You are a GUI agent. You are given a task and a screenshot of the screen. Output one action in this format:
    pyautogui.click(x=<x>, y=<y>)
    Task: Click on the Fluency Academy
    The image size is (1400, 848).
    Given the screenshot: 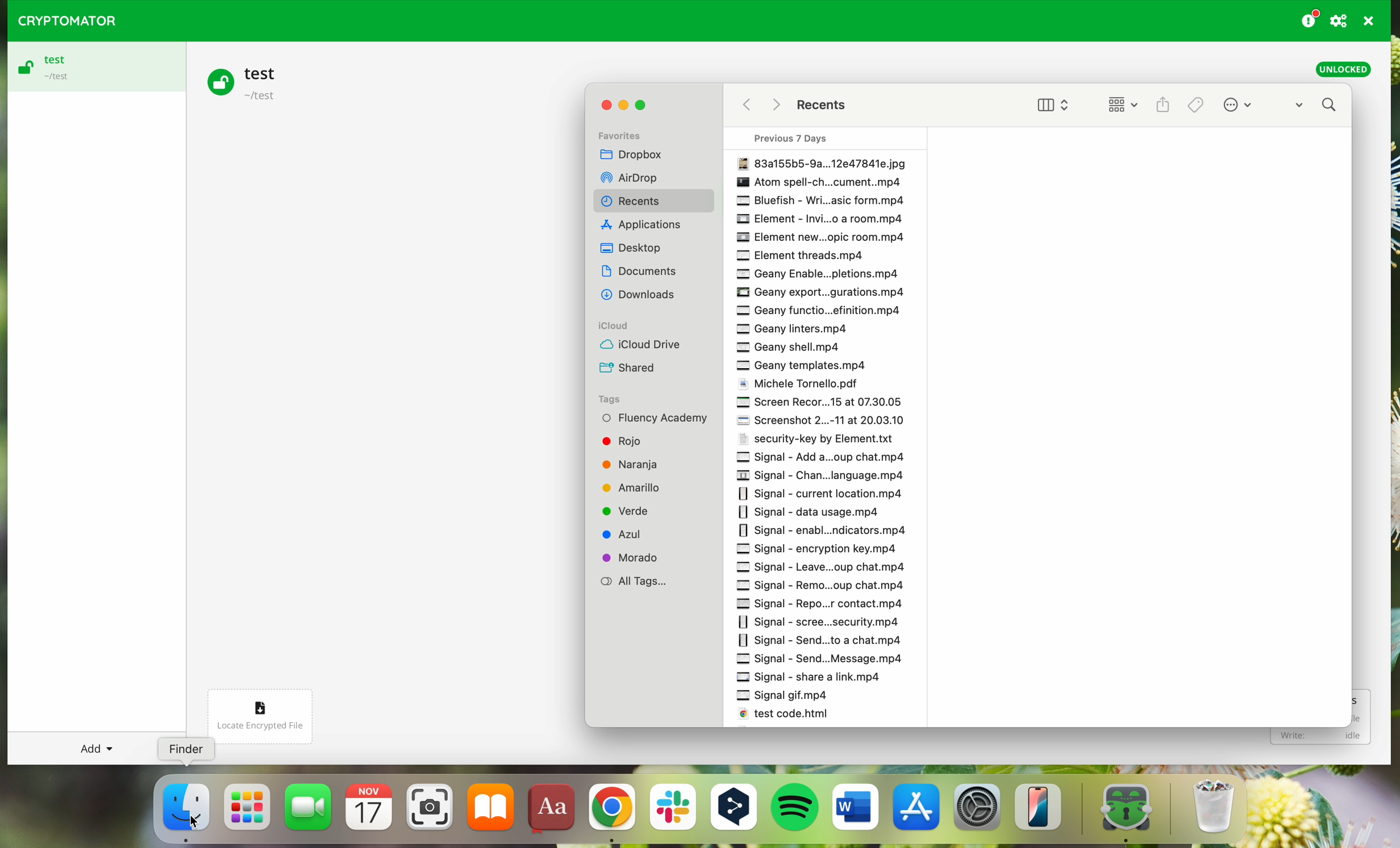 What is the action you would take?
    pyautogui.click(x=656, y=418)
    